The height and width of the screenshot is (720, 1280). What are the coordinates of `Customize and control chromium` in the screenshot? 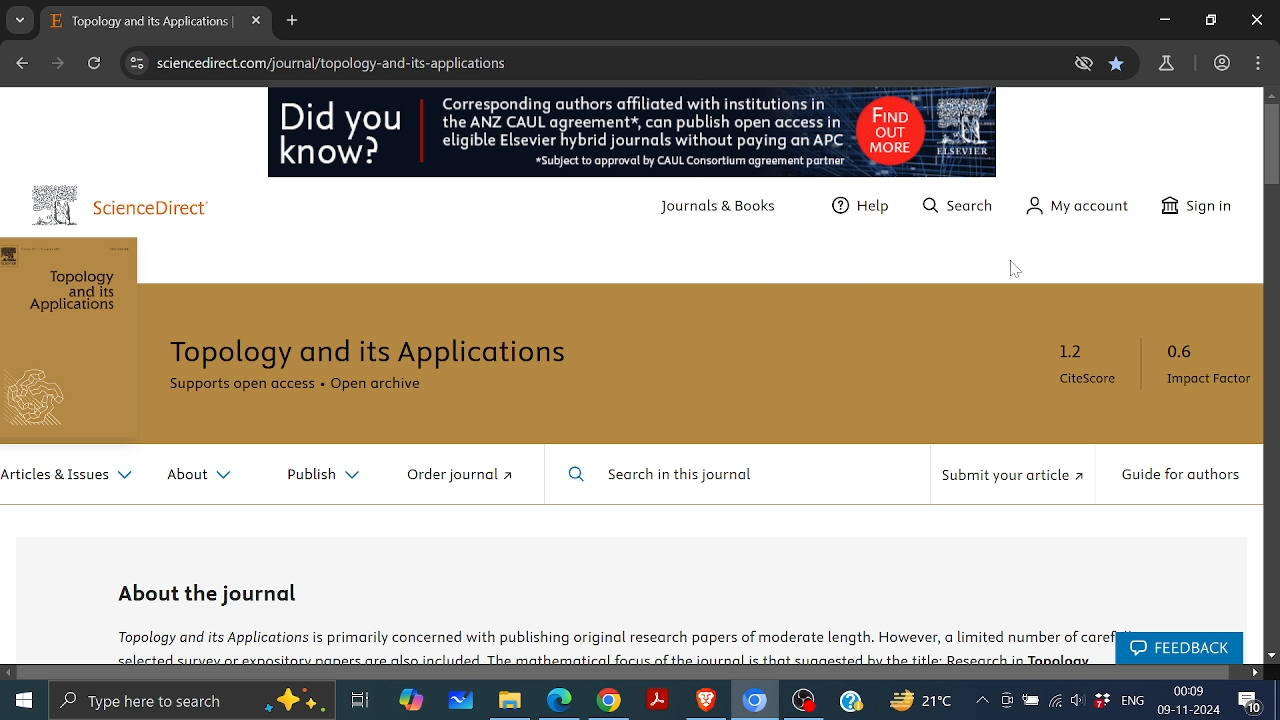 It's located at (1257, 63).